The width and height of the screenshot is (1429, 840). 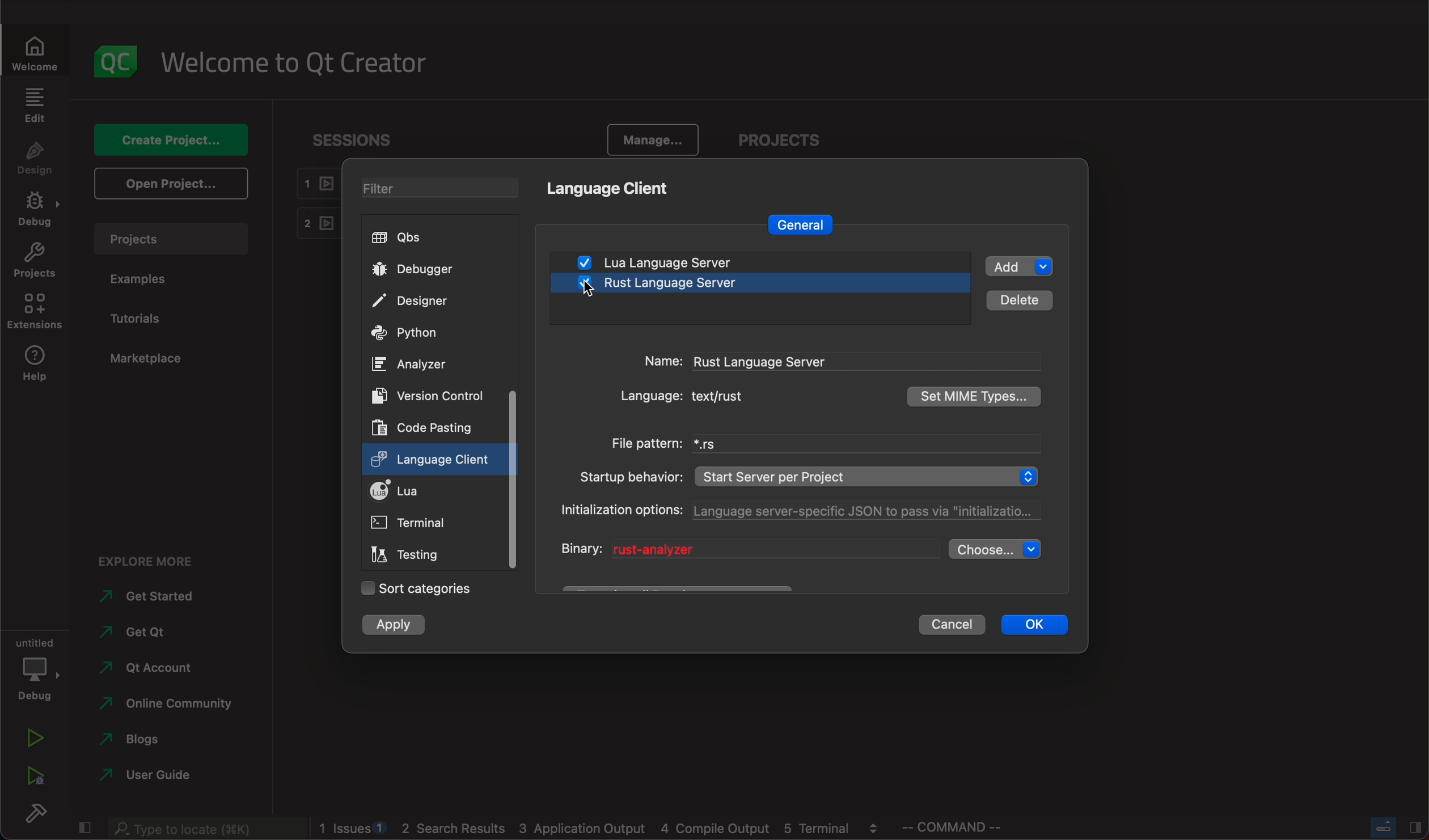 I want to click on PROJECTS, so click(x=779, y=140).